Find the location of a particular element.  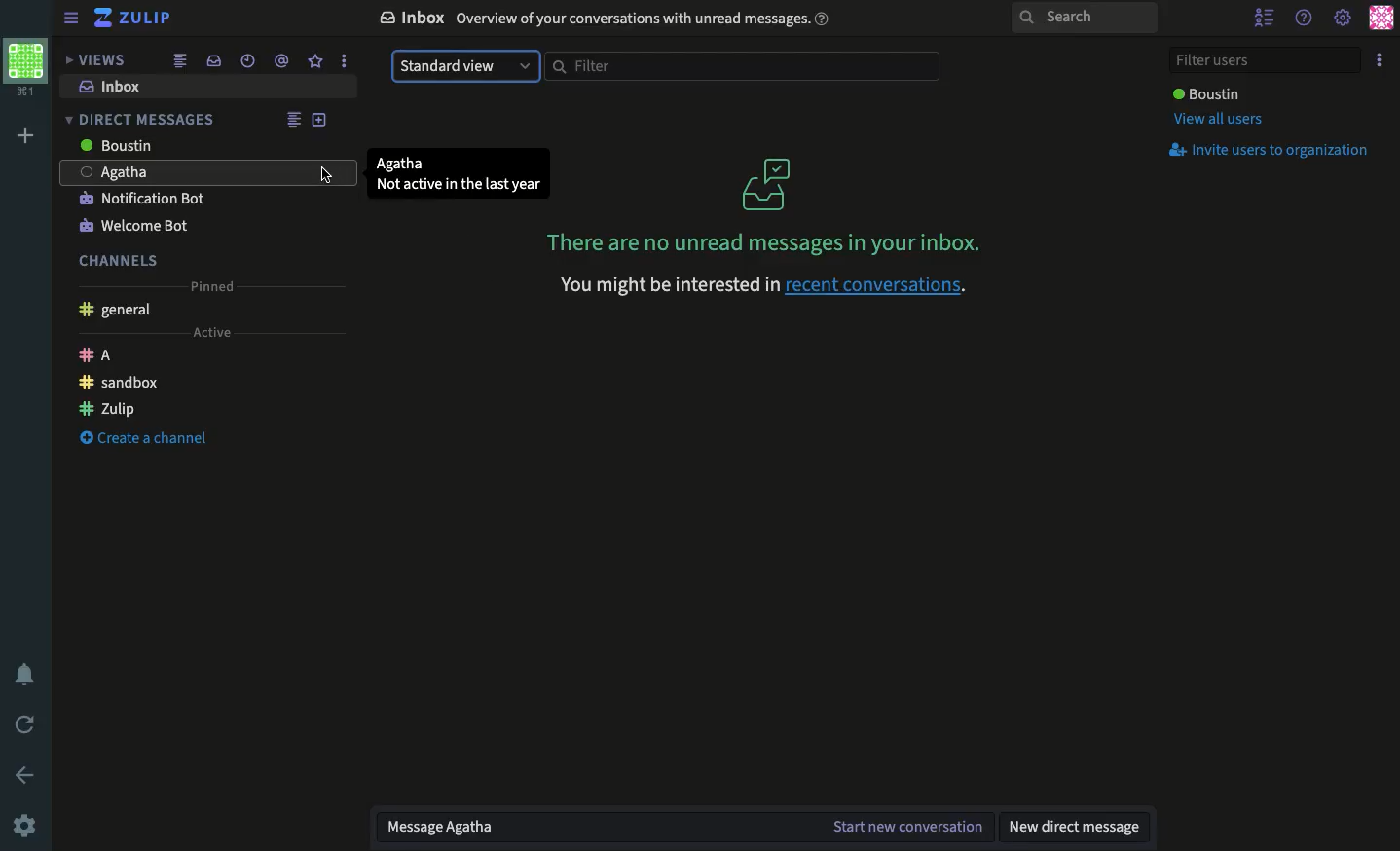

Invite users to org. is located at coordinates (1272, 148).